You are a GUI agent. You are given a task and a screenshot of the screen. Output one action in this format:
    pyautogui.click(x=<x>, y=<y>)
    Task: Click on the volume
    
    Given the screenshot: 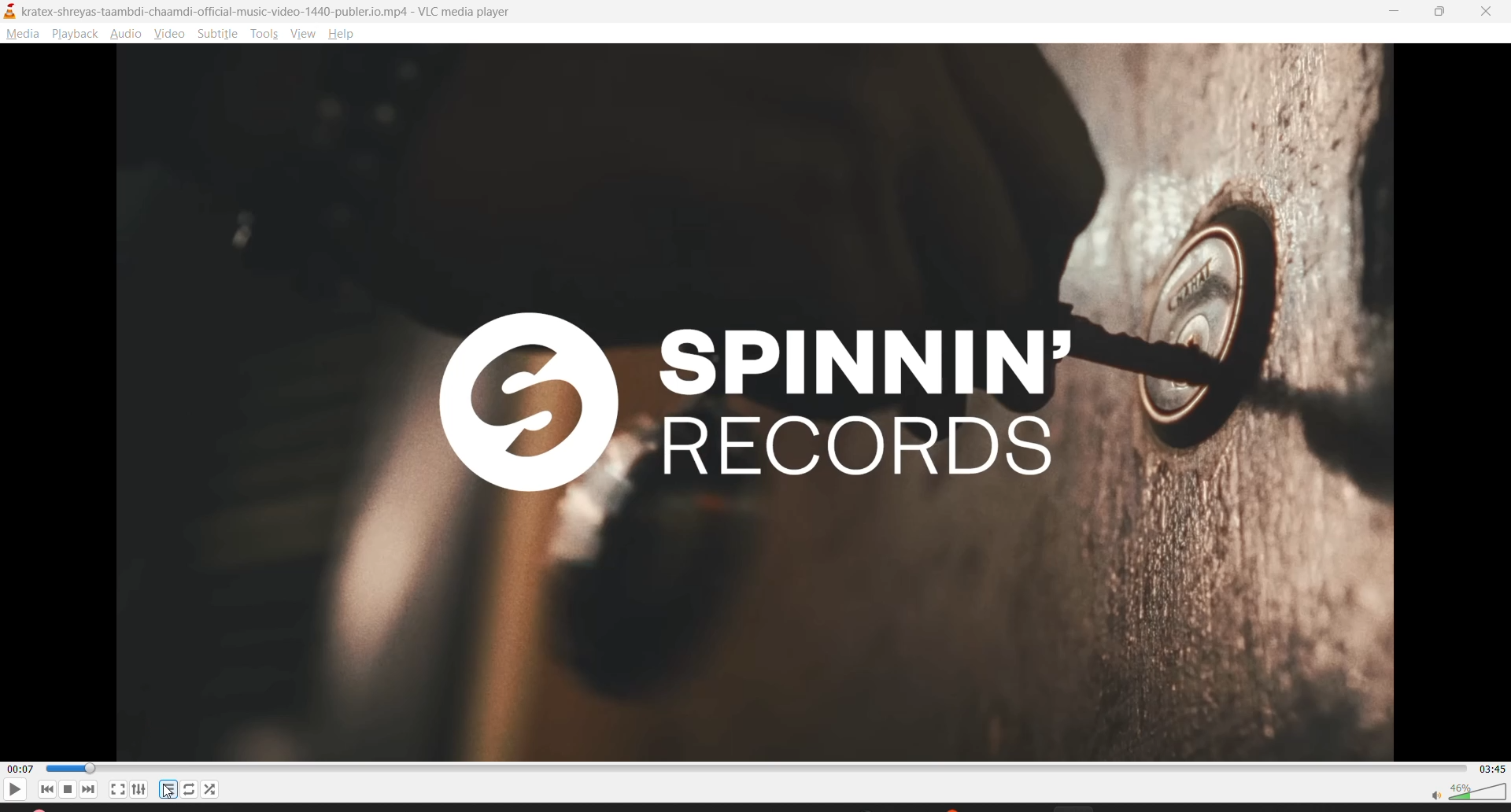 What is the action you would take?
    pyautogui.click(x=1468, y=792)
    